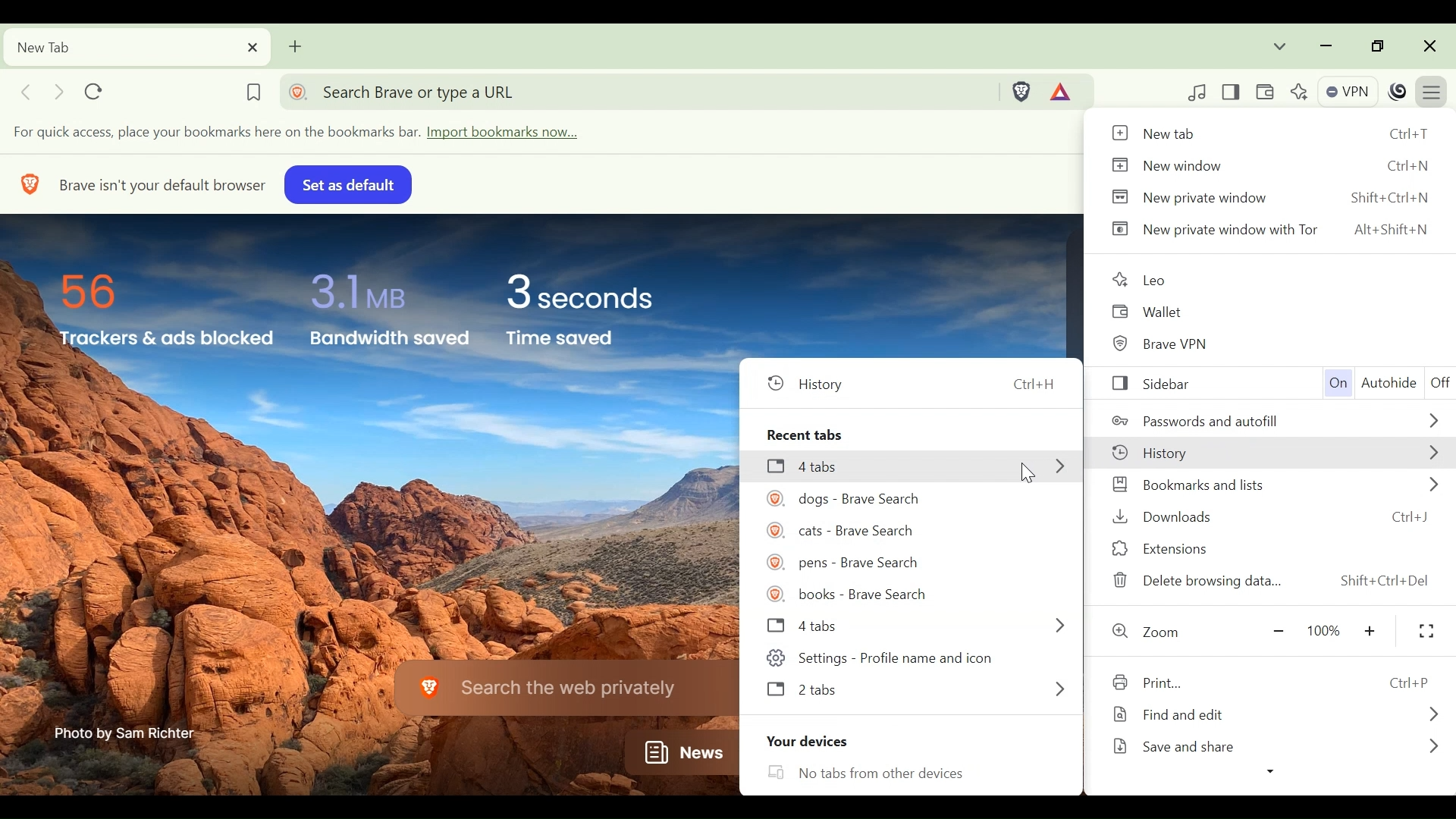  Describe the element at coordinates (1298, 90) in the screenshot. I see `Leo AI` at that location.